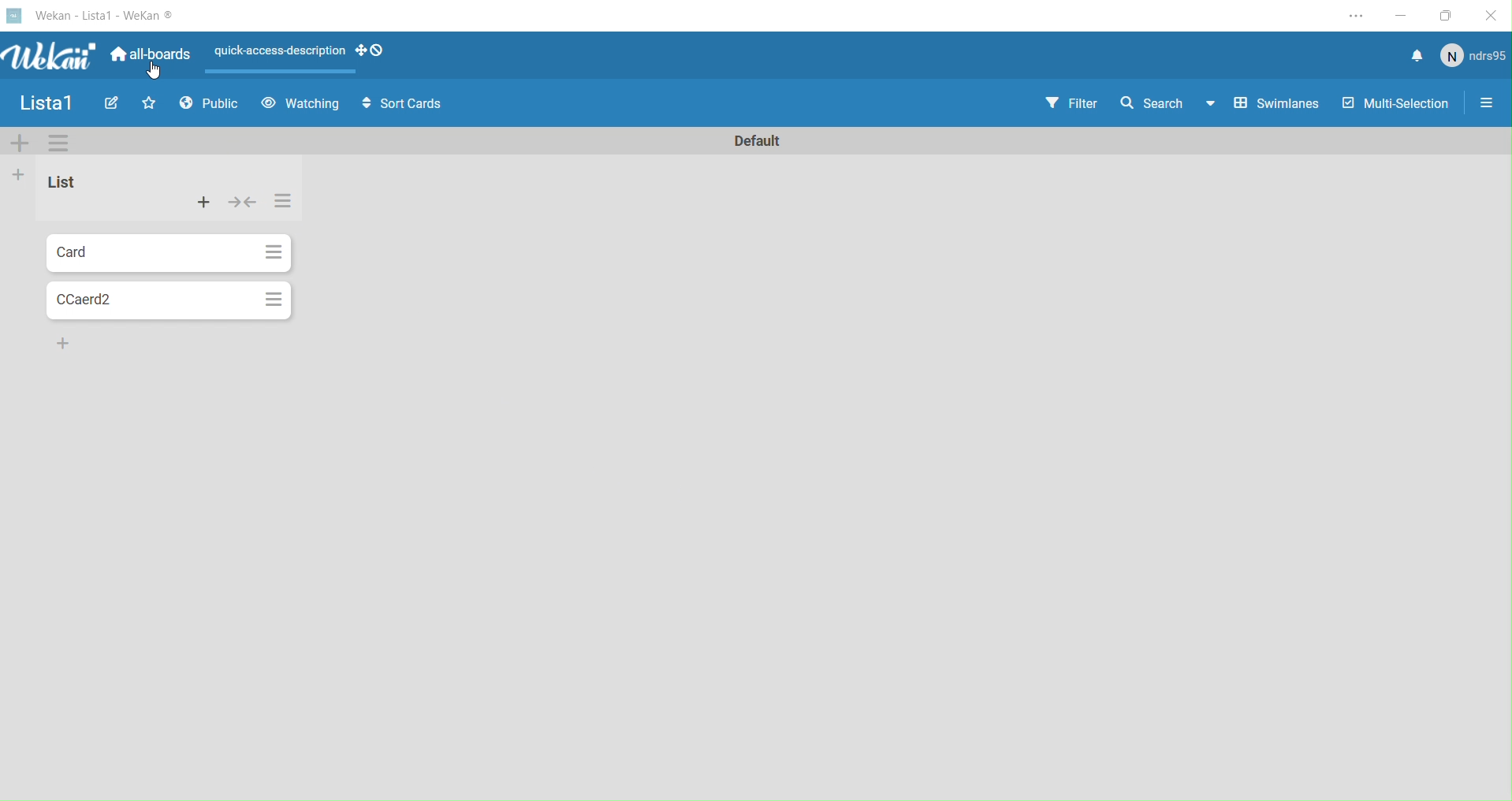  I want to click on User, so click(1473, 58).